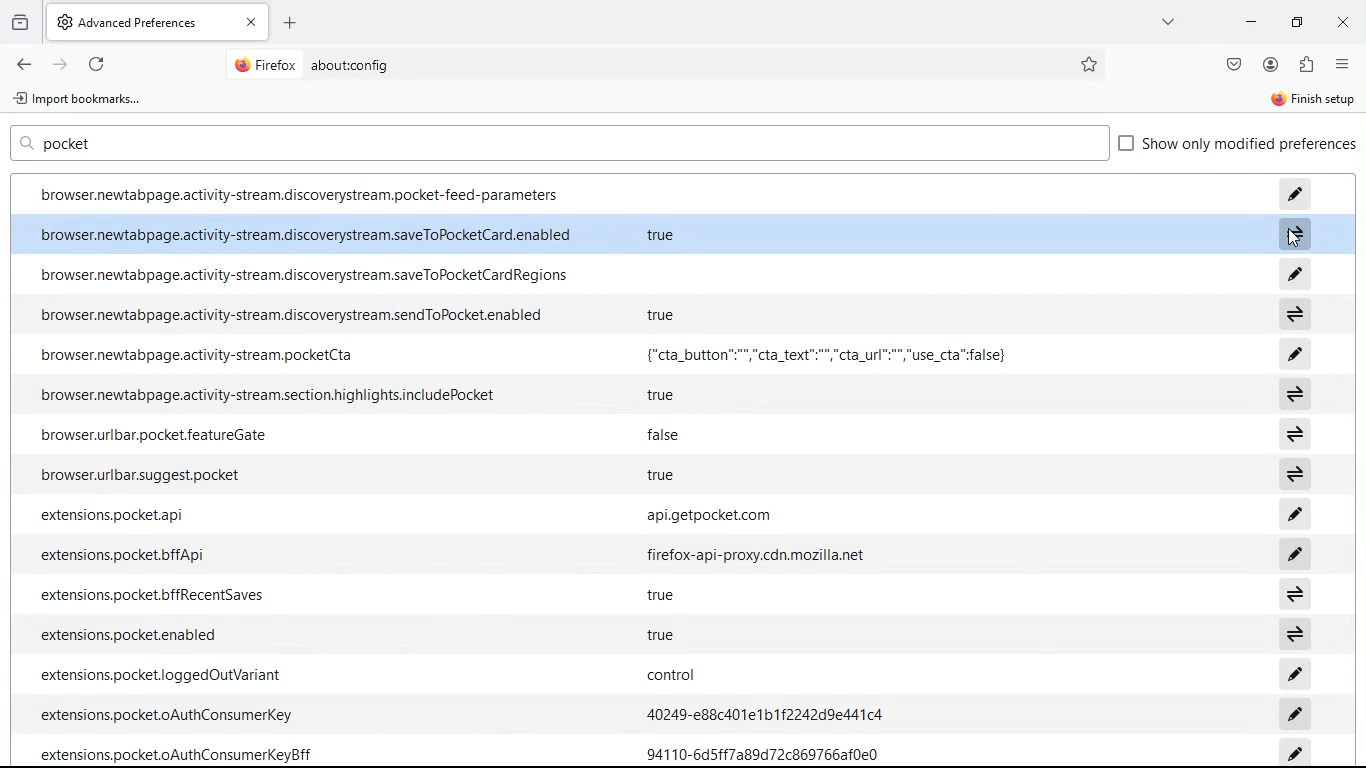 Image resolution: width=1366 pixels, height=768 pixels. Describe the element at coordinates (1309, 65) in the screenshot. I see `extentions` at that location.